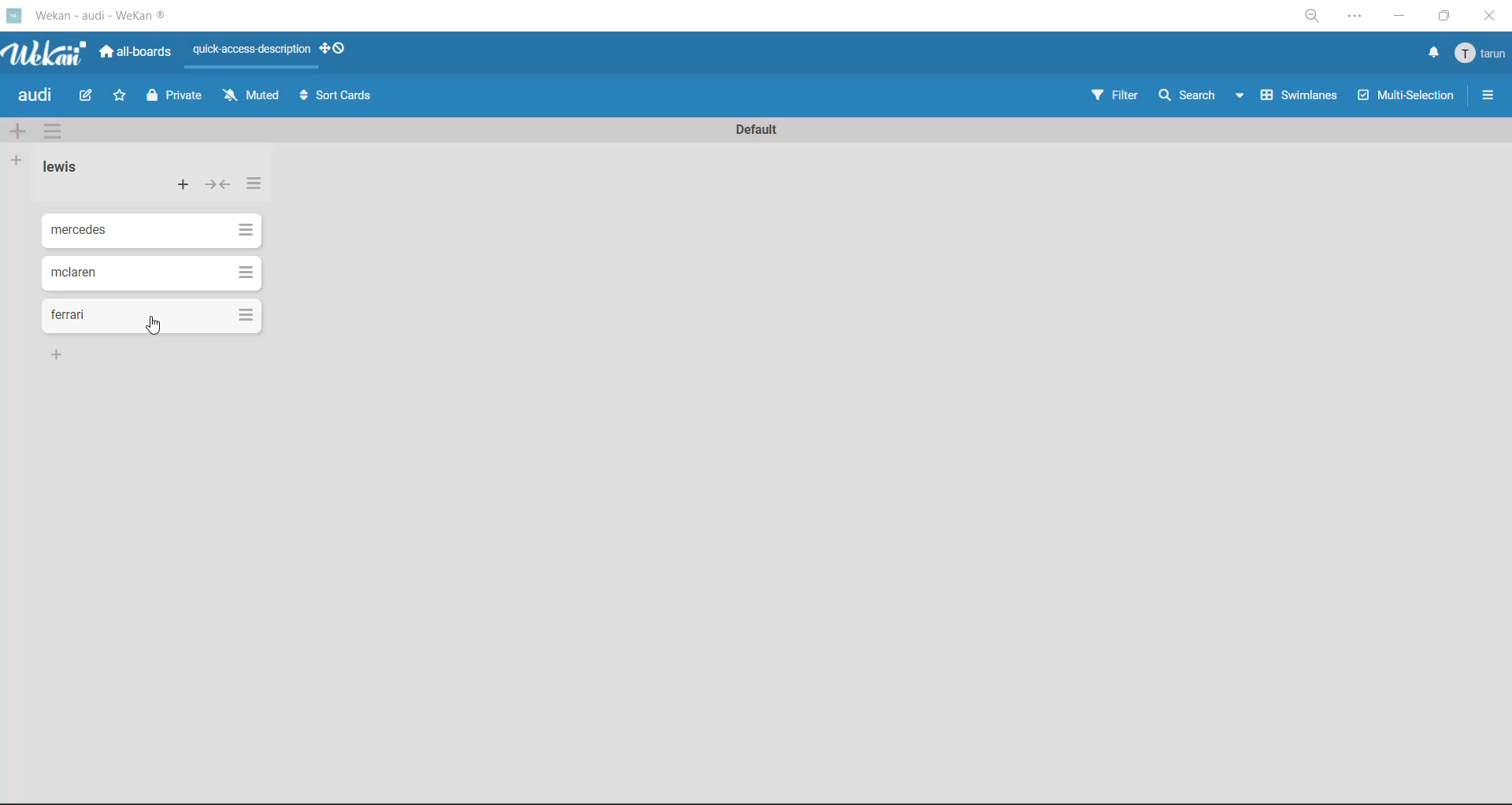 Image resolution: width=1512 pixels, height=805 pixels. Describe the element at coordinates (50, 129) in the screenshot. I see `swimlane actions` at that location.